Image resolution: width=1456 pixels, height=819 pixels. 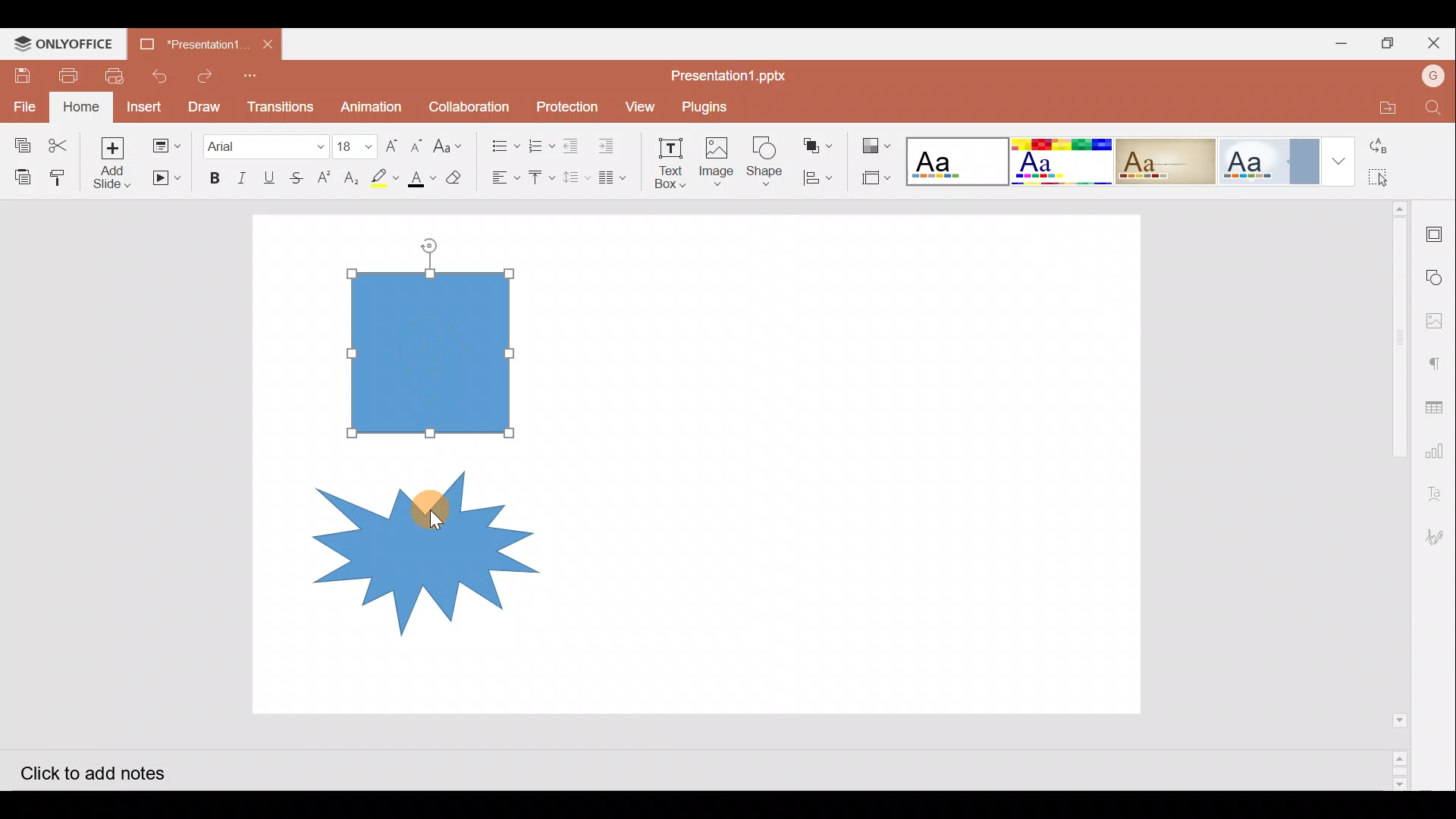 I want to click on Highlight colour, so click(x=388, y=176).